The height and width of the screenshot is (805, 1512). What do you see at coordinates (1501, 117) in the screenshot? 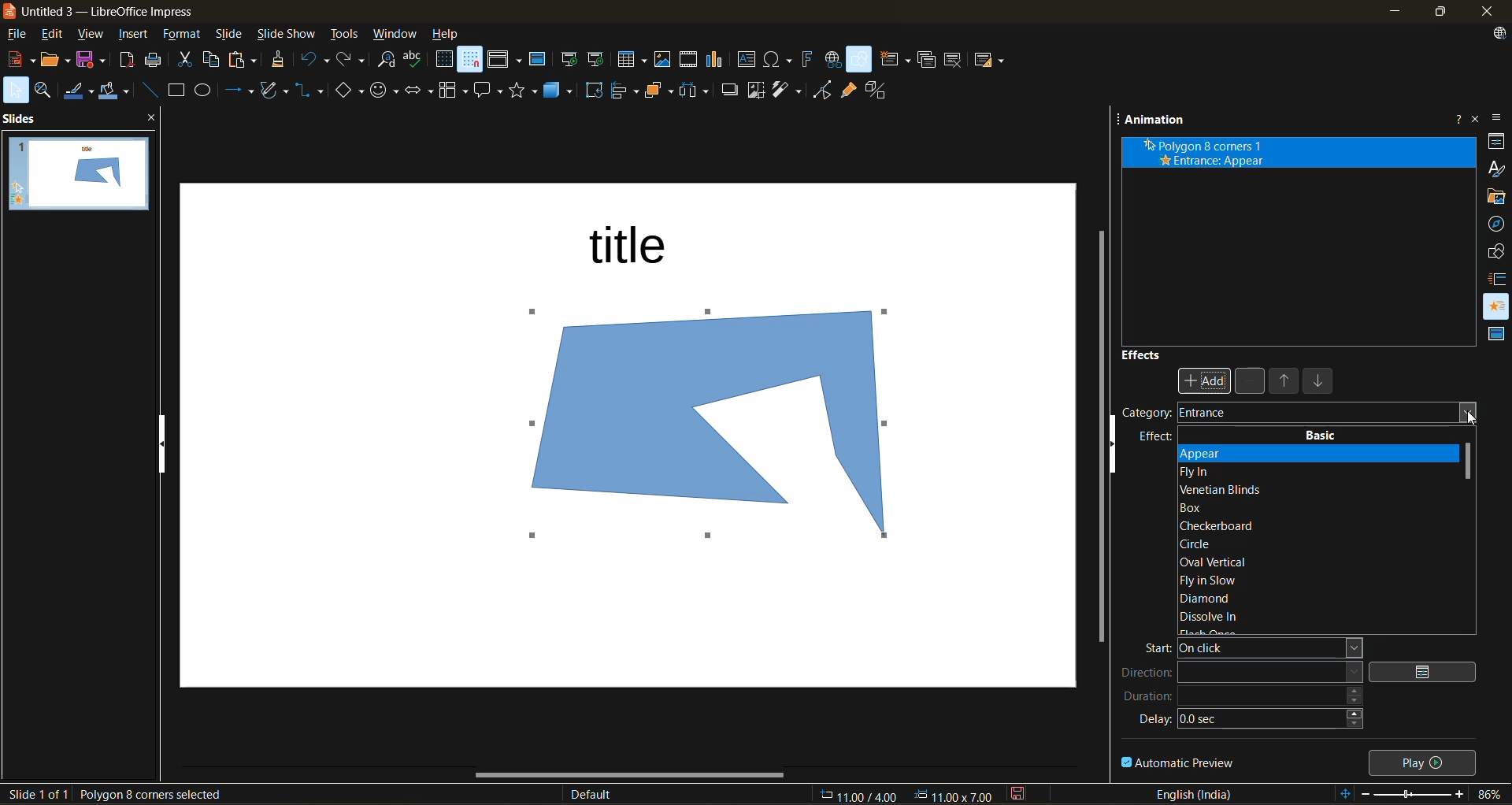
I see `sidebar settings` at bounding box center [1501, 117].